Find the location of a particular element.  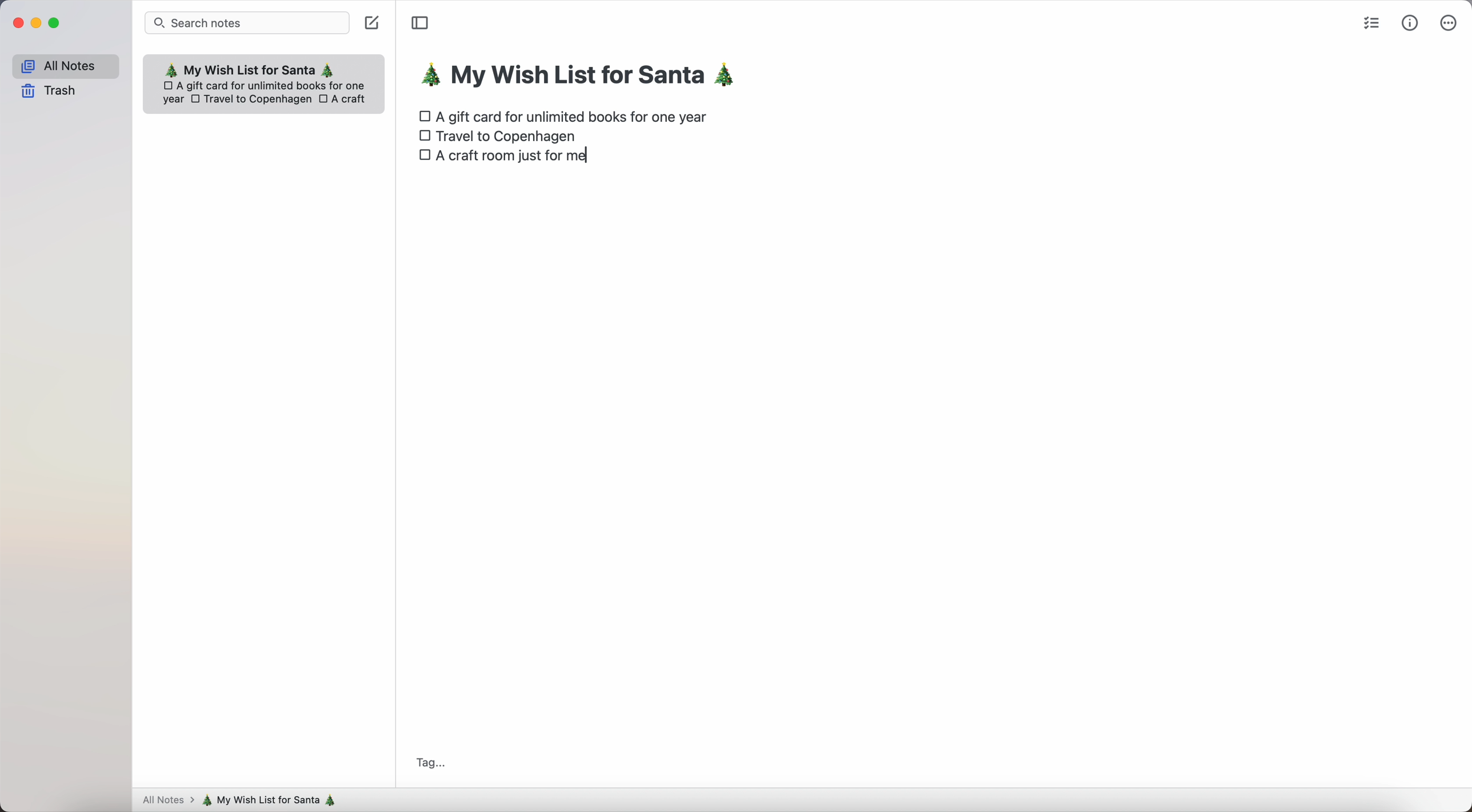

trash is located at coordinates (50, 92).